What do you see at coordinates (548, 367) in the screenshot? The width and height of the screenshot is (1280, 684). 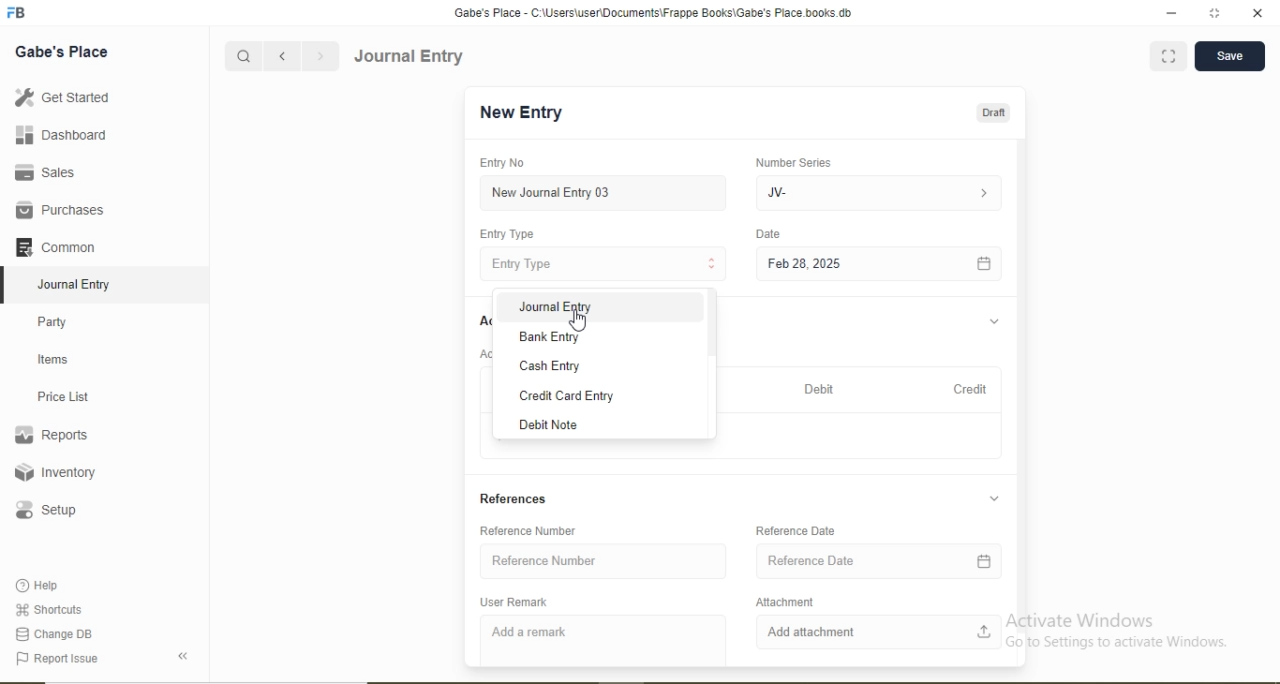 I see `Cash Entry` at bounding box center [548, 367].